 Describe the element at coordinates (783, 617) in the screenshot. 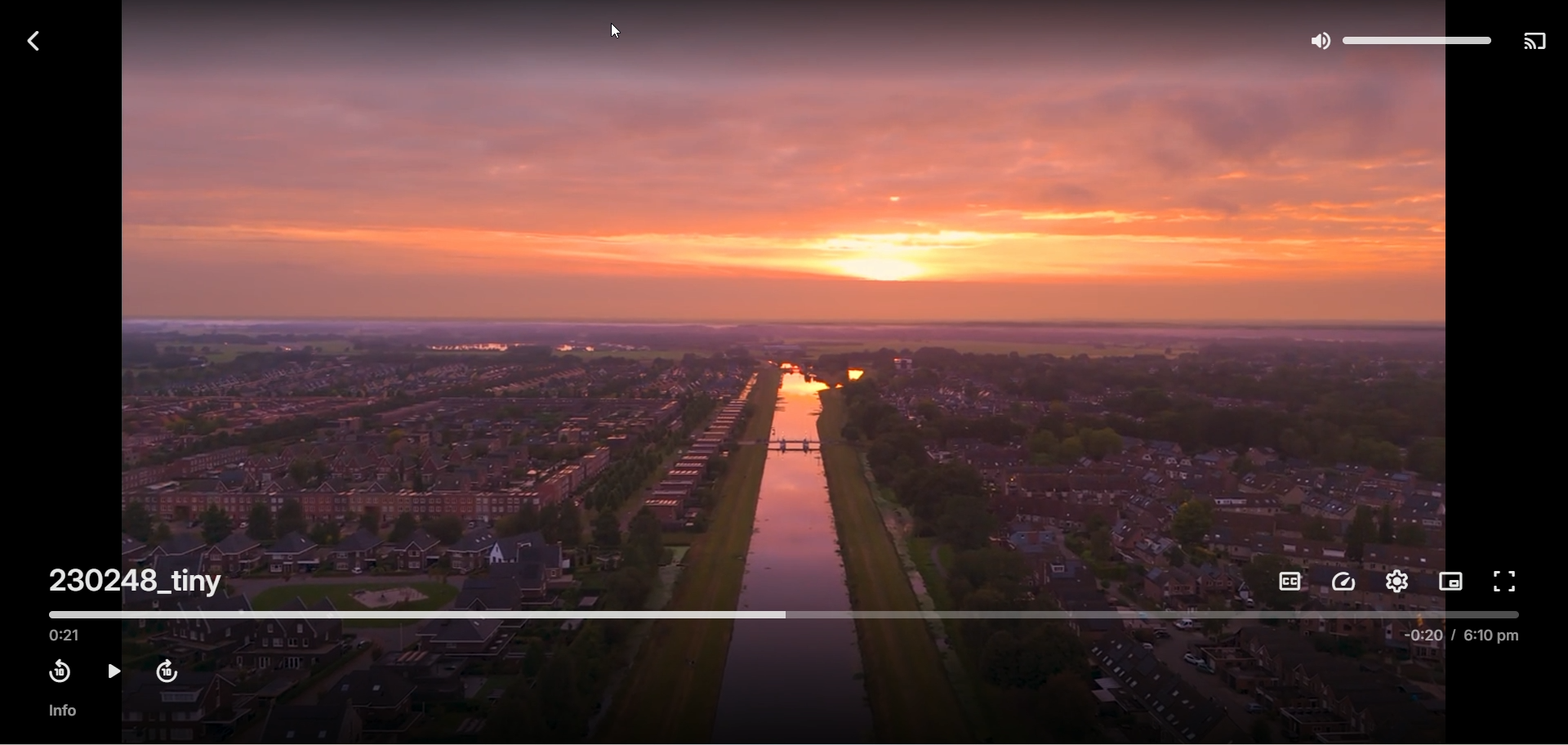

I see `timeline` at that location.